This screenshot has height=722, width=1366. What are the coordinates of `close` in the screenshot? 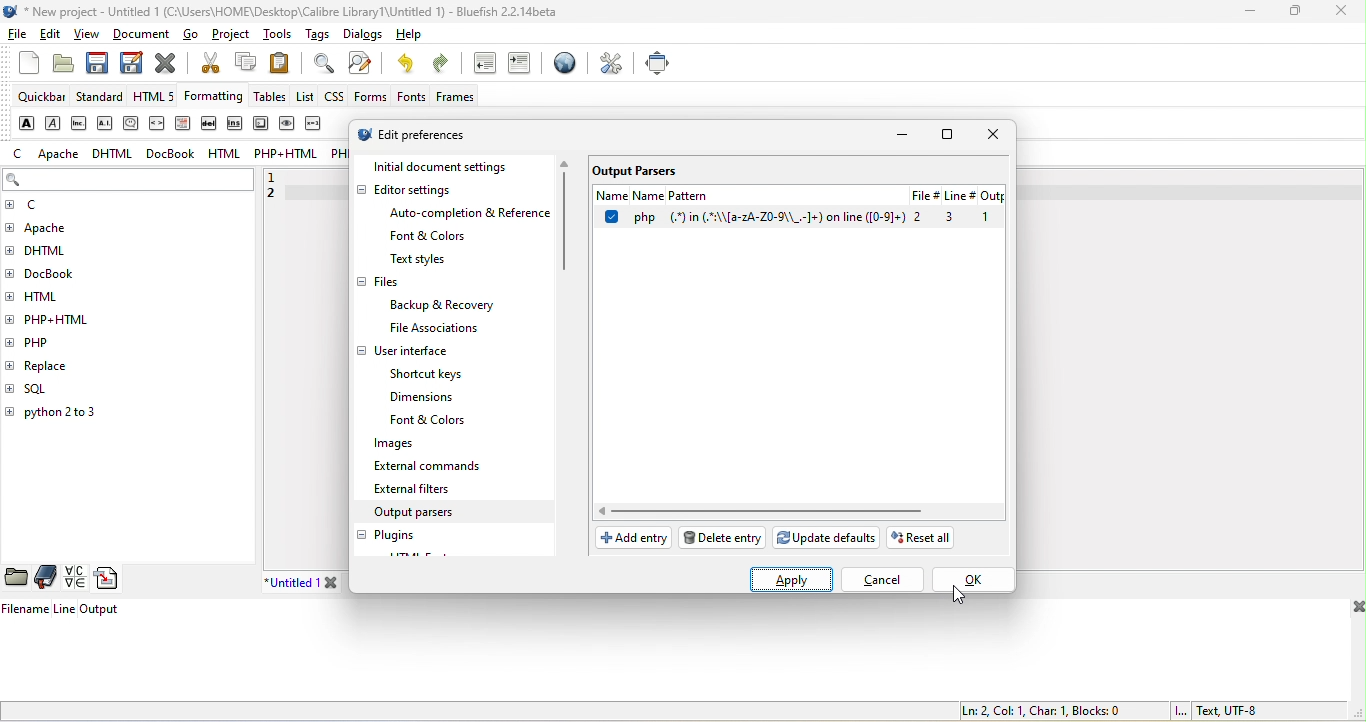 It's located at (990, 135).